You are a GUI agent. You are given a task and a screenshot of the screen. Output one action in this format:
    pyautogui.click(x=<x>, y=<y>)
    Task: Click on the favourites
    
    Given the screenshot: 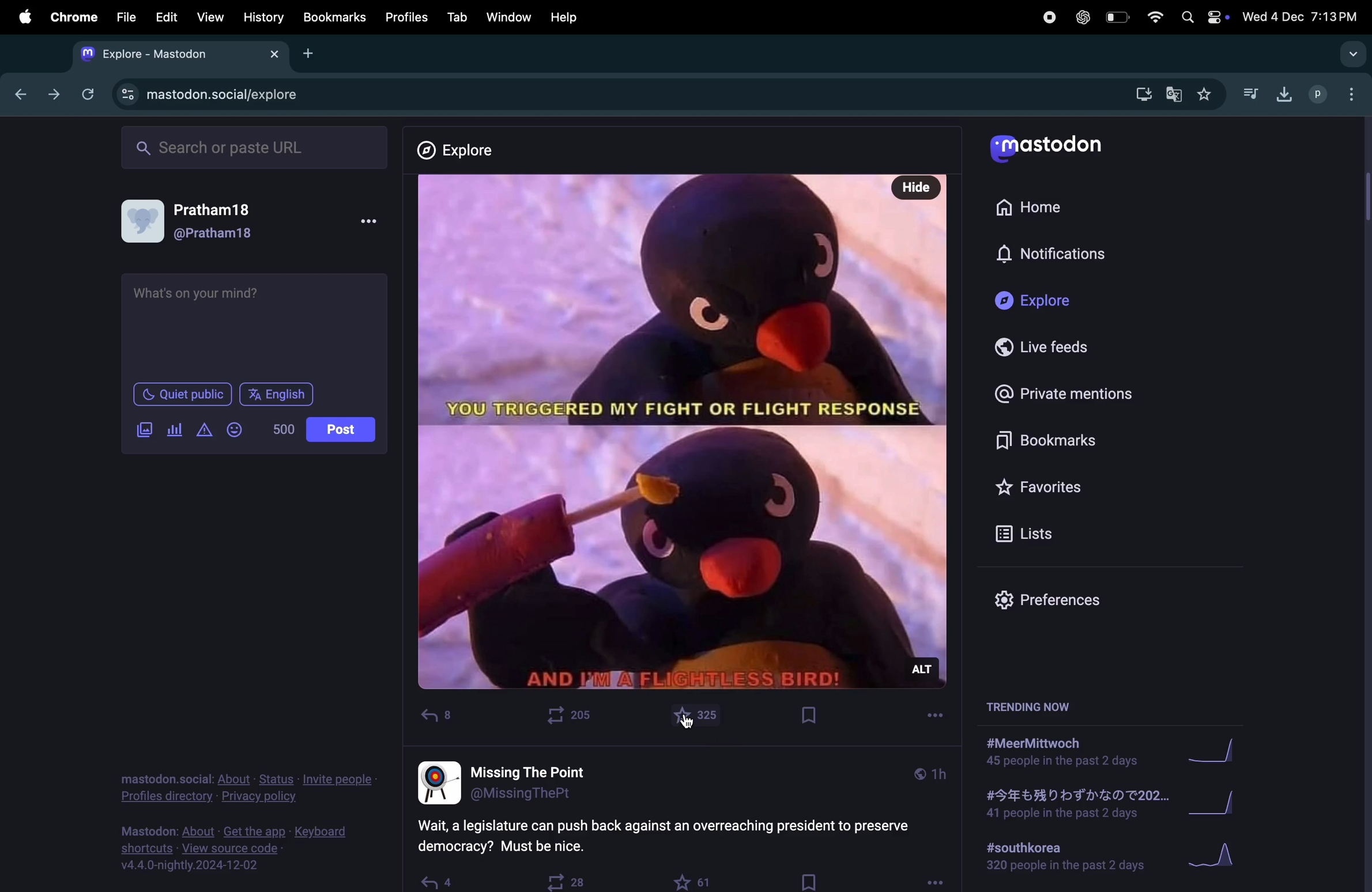 What is the action you would take?
    pyautogui.click(x=1204, y=95)
    